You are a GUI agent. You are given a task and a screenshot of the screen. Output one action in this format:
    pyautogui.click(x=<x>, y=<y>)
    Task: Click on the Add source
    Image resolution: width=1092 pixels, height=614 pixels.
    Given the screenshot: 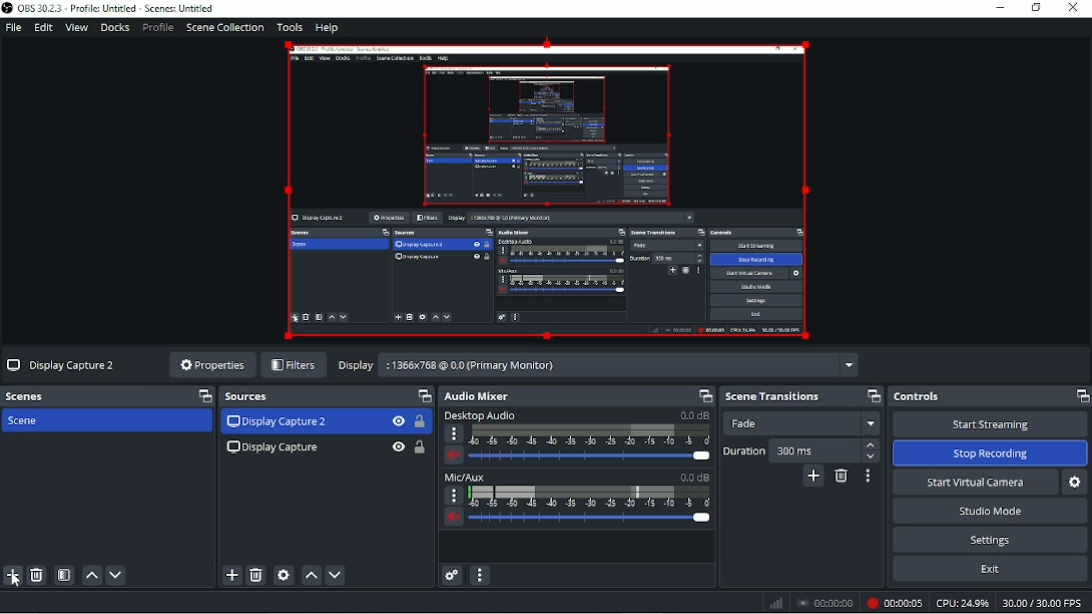 What is the action you would take?
    pyautogui.click(x=230, y=576)
    